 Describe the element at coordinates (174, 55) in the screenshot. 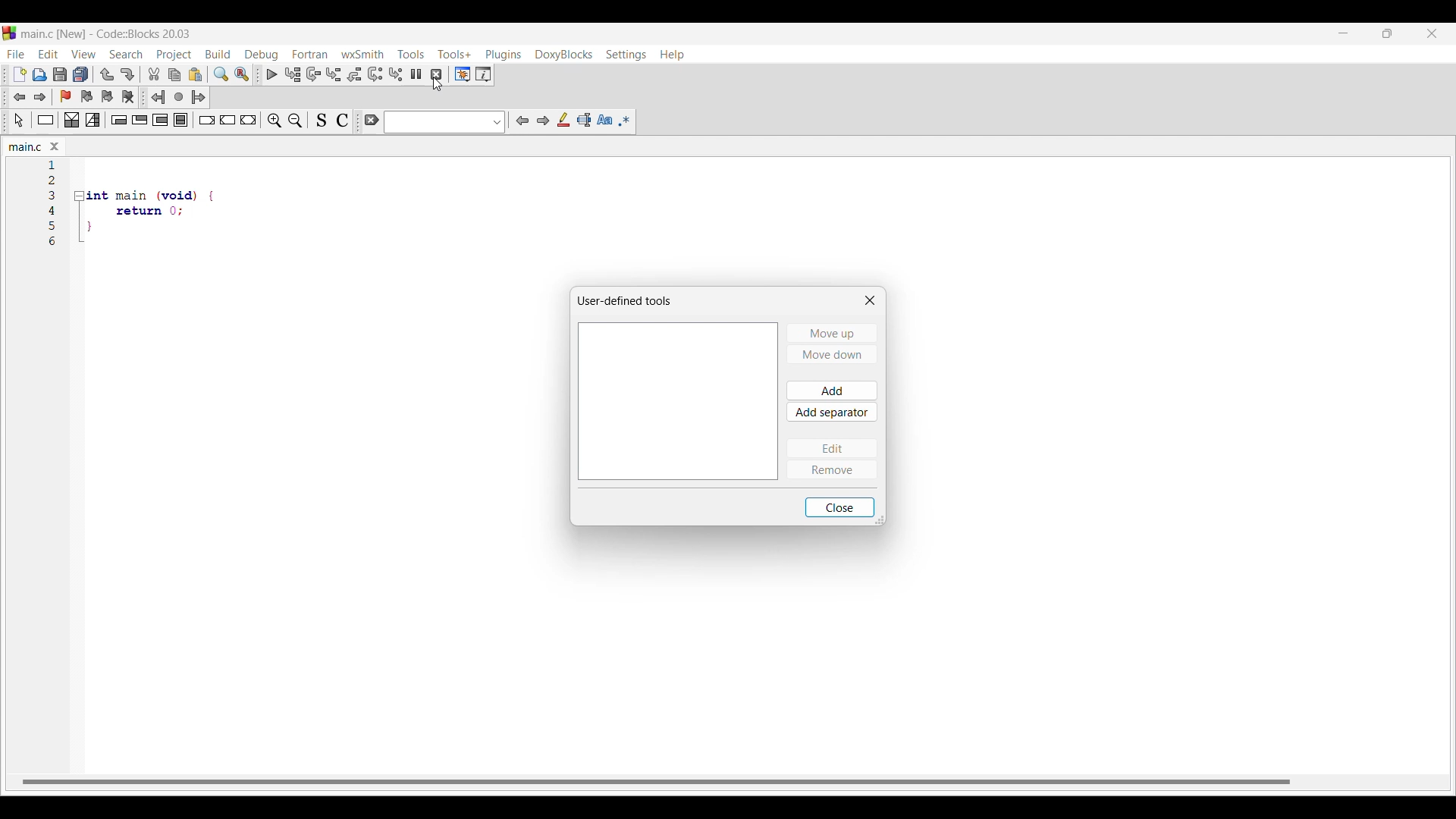

I see `Project menu` at that location.